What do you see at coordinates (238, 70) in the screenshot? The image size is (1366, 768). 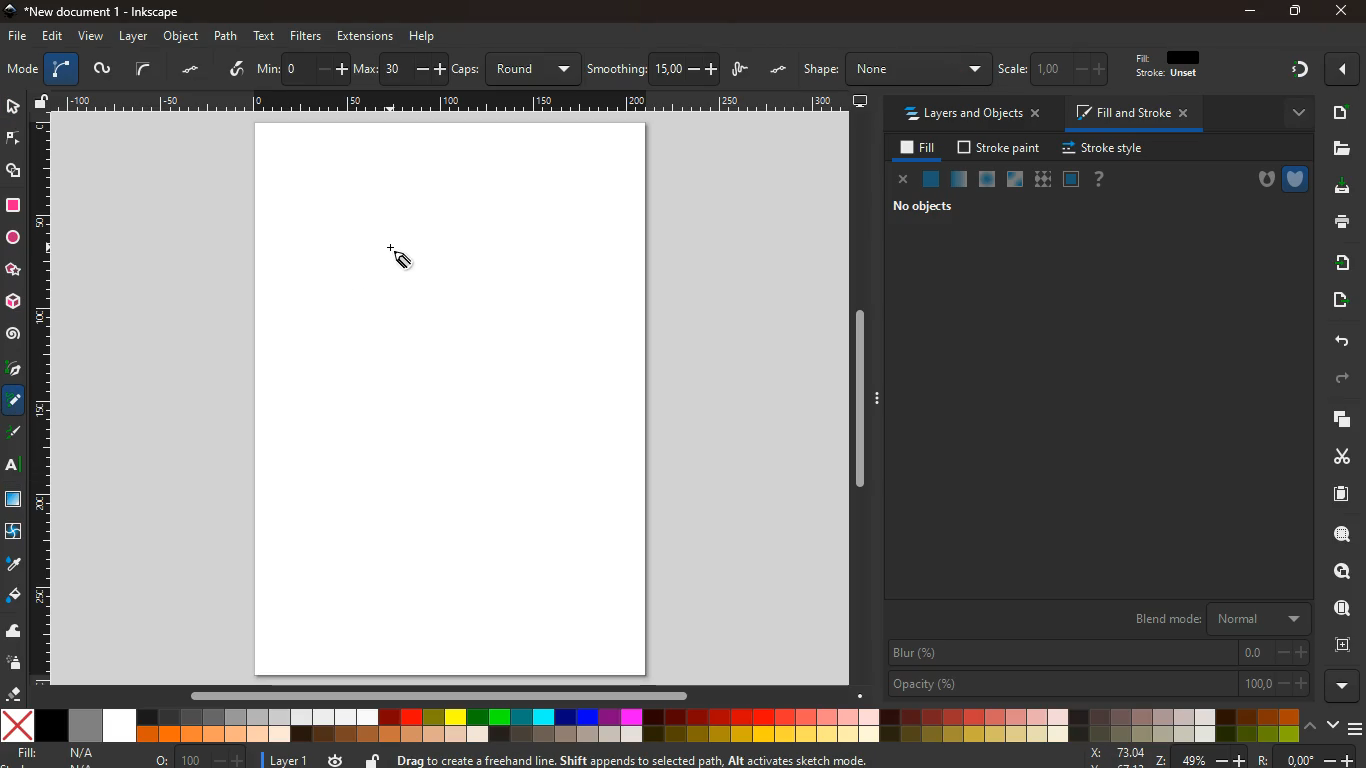 I see `draw` at bounding box center [238, 70].